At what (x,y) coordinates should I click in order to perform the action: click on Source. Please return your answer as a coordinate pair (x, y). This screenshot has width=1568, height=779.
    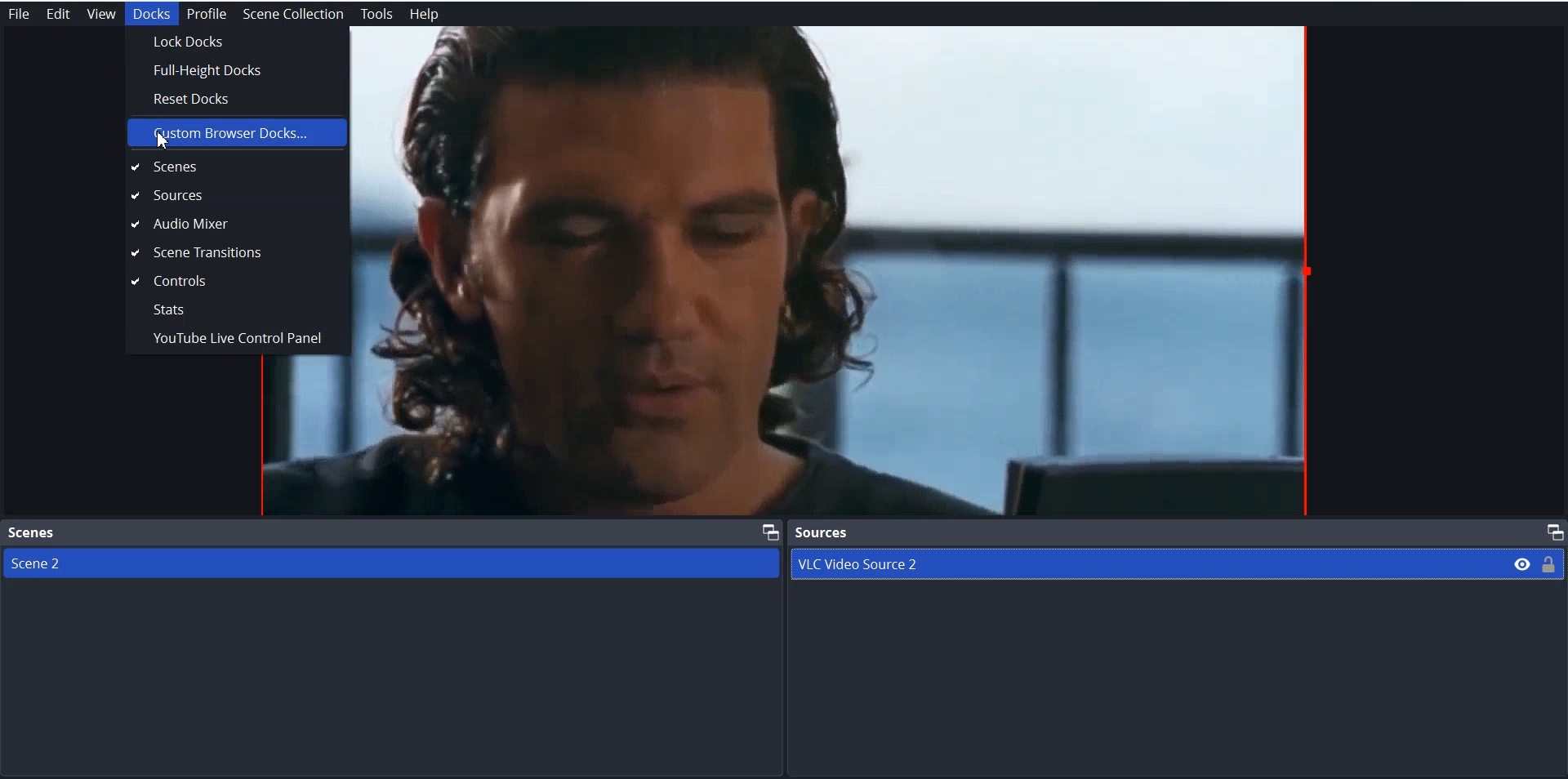
    Looking at the image, I should click on (822, 532).